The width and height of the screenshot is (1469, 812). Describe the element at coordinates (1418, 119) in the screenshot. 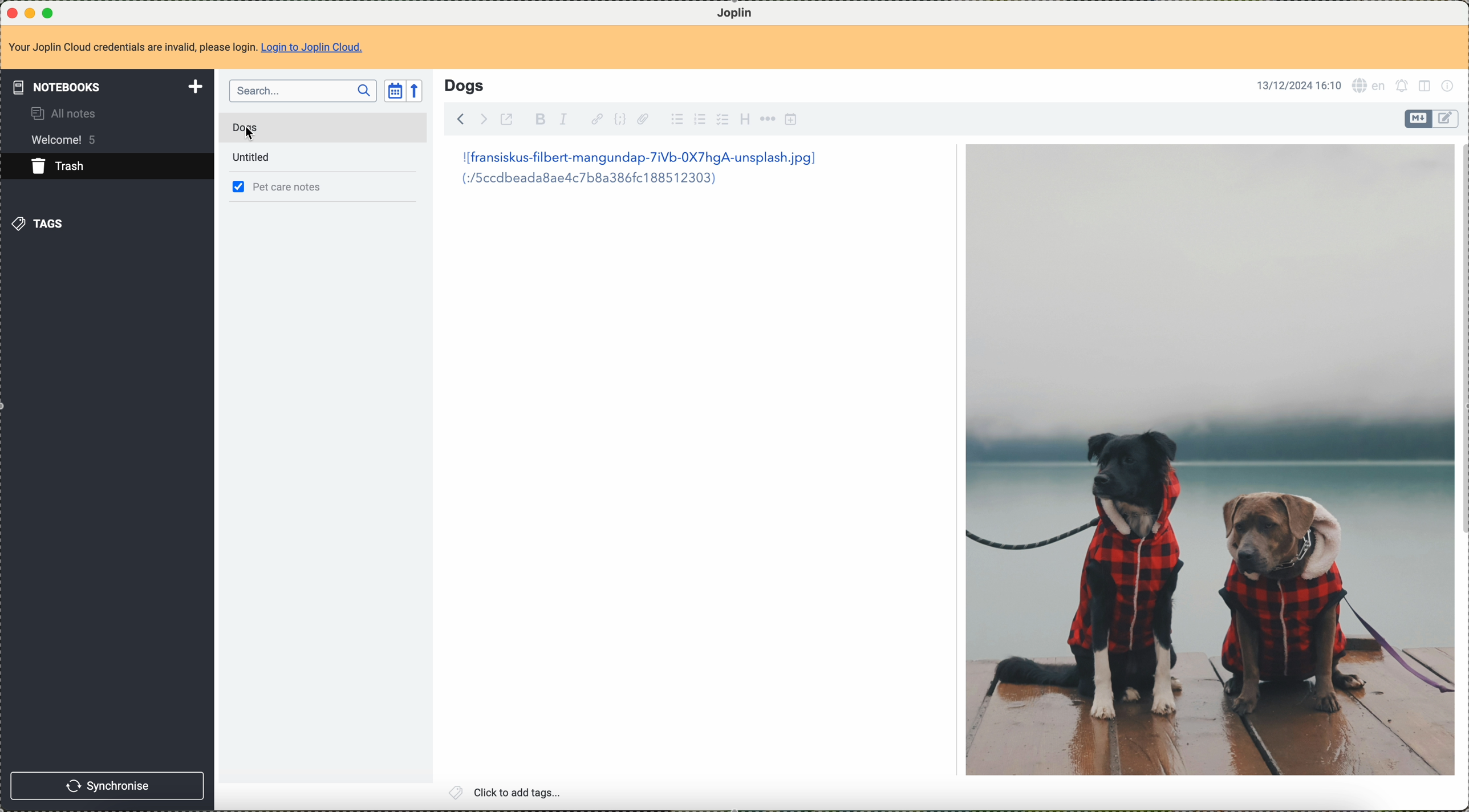

I see `toggle editor` at that location.